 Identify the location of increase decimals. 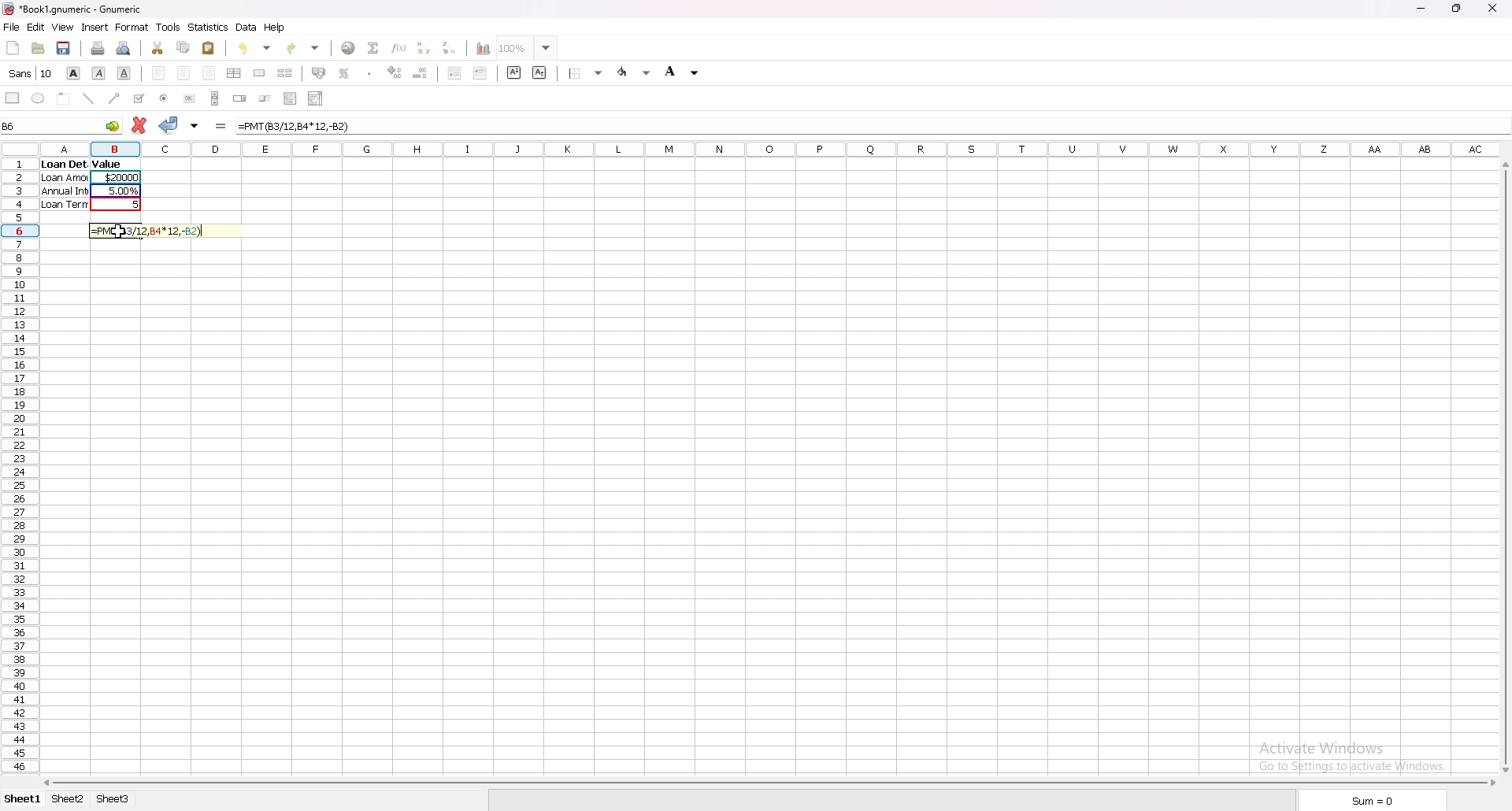
(395, 72).